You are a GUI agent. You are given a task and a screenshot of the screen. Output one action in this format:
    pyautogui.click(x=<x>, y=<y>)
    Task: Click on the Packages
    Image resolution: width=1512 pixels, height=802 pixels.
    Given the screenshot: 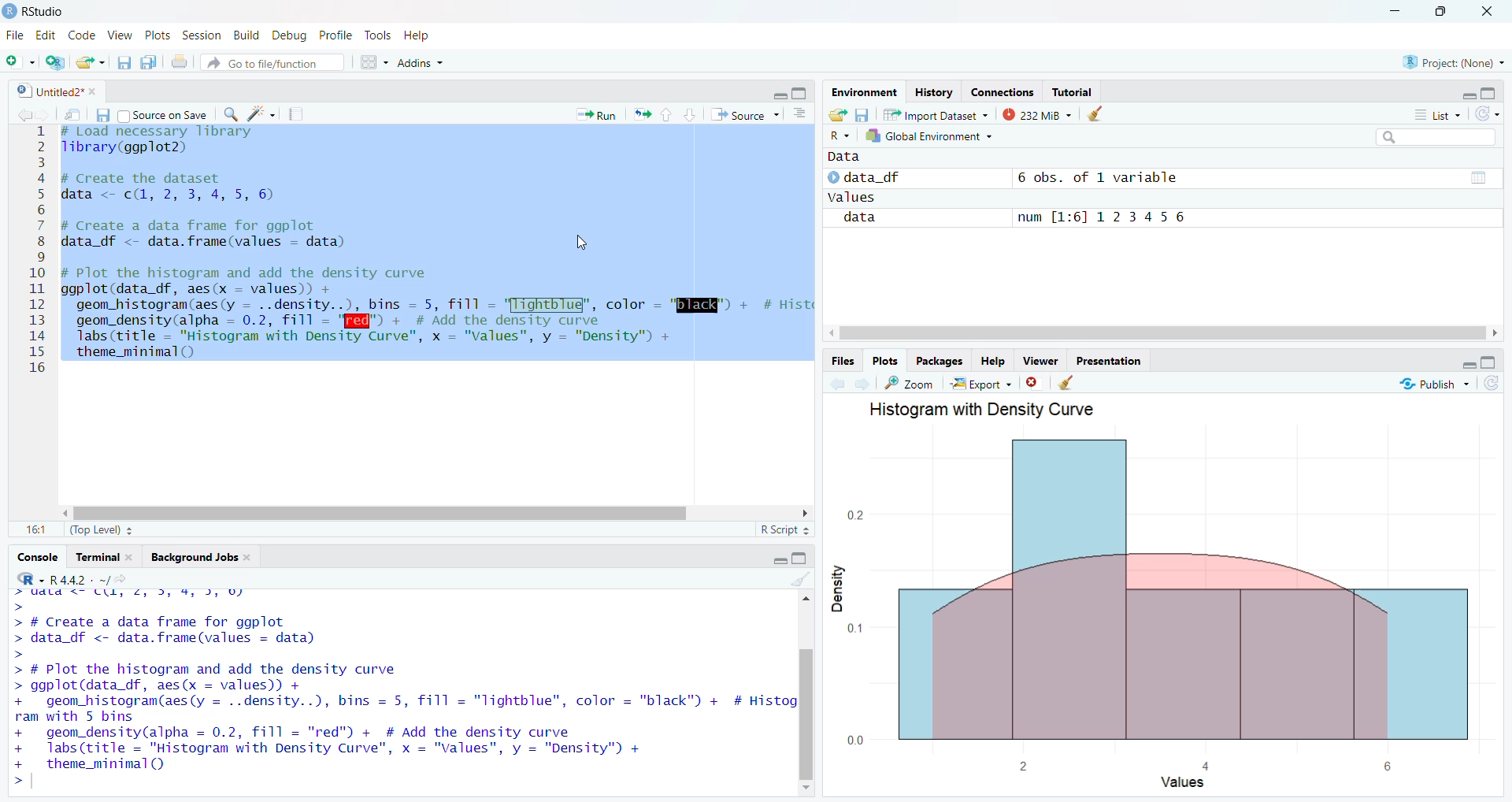 What is the action you would take?
    pyautogui.click(x=942, y=361)
    